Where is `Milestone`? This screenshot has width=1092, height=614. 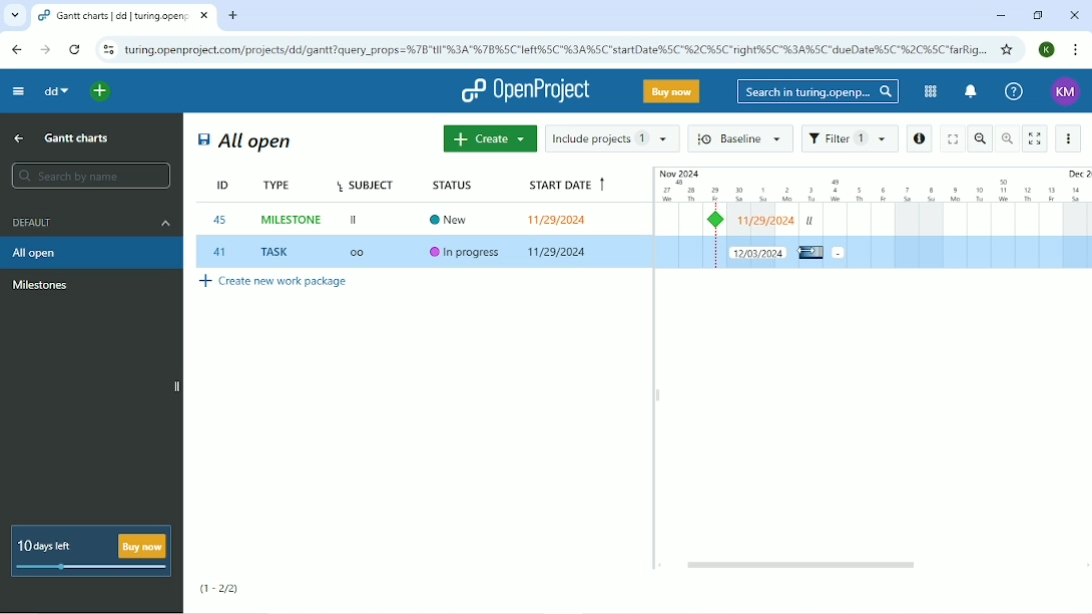 Milestone is located at coordinates (41, 285).